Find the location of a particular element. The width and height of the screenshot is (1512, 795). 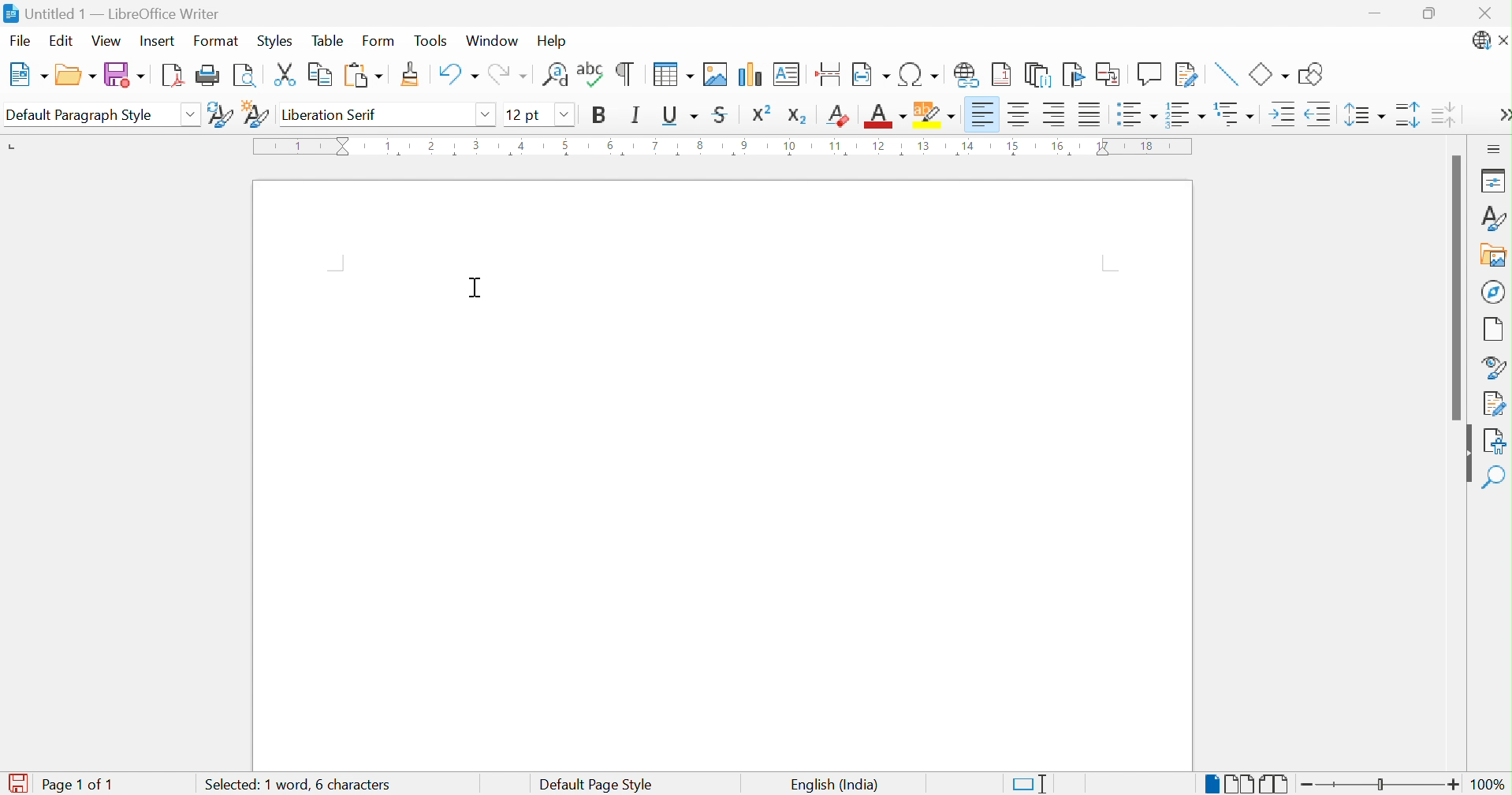

Find is located at coordinates (1496, 477).